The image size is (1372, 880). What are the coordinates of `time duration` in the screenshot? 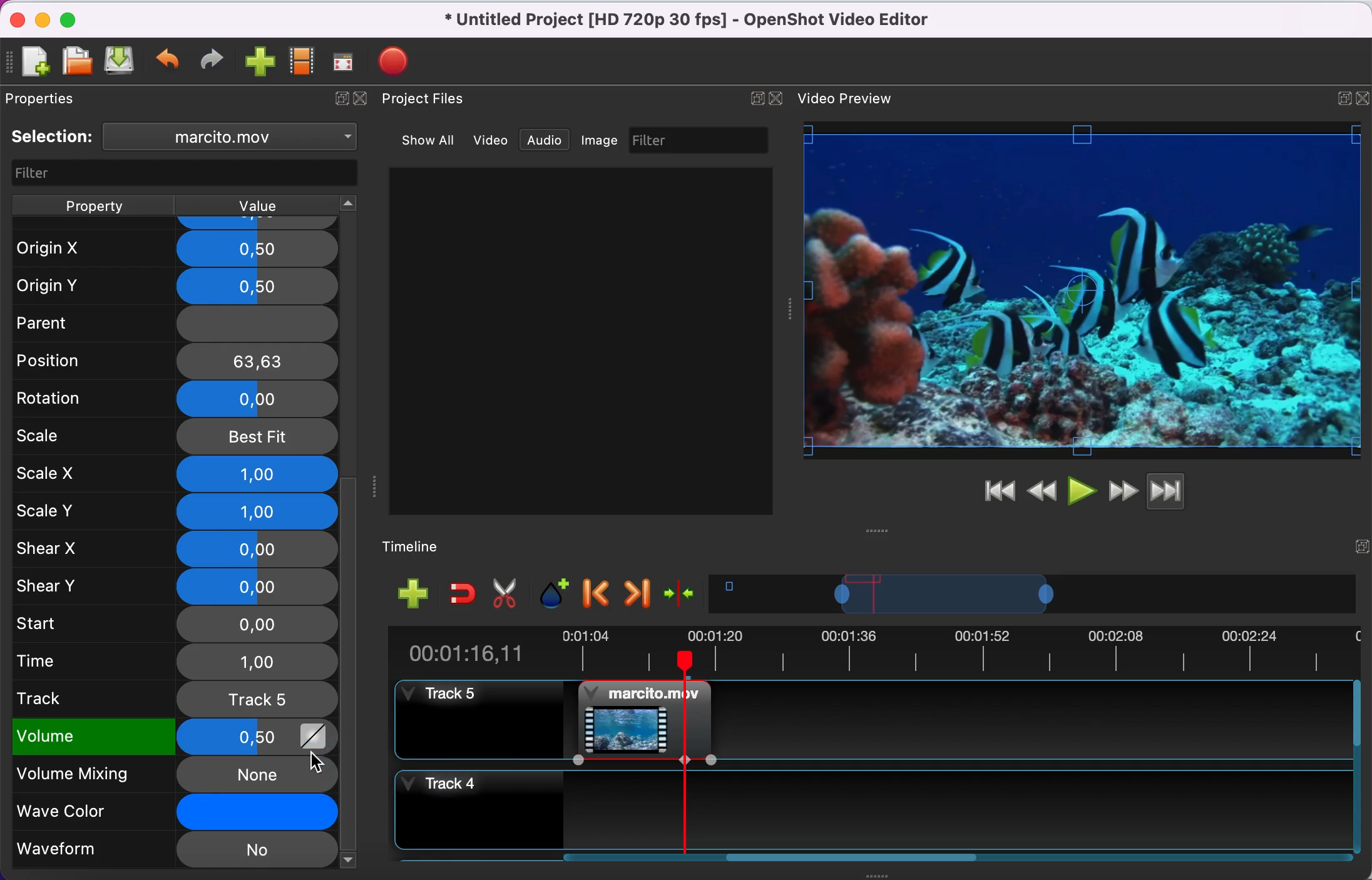 It's located at (871, 652).